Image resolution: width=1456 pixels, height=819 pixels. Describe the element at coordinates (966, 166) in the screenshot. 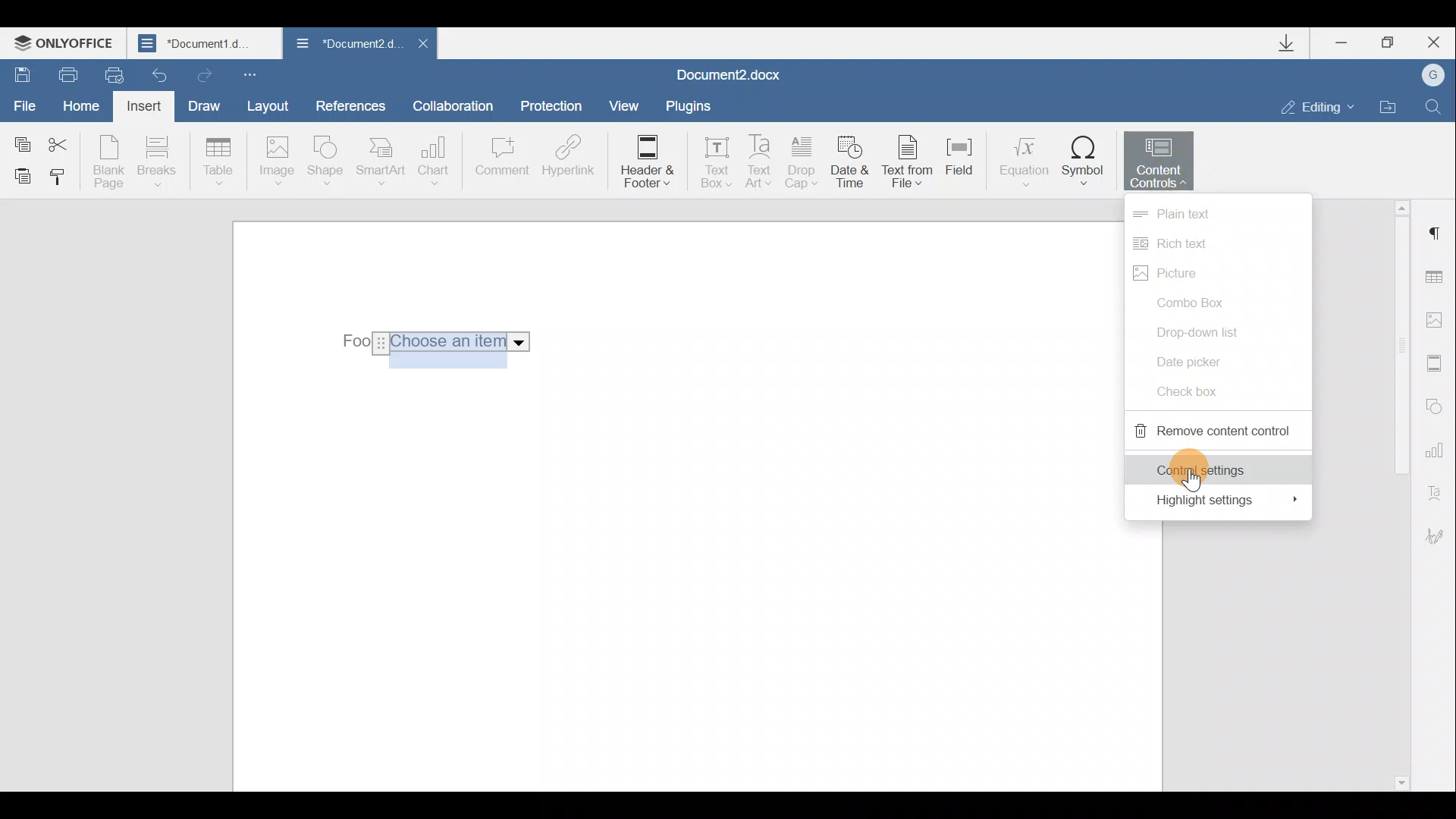

I see `Field` at that location.